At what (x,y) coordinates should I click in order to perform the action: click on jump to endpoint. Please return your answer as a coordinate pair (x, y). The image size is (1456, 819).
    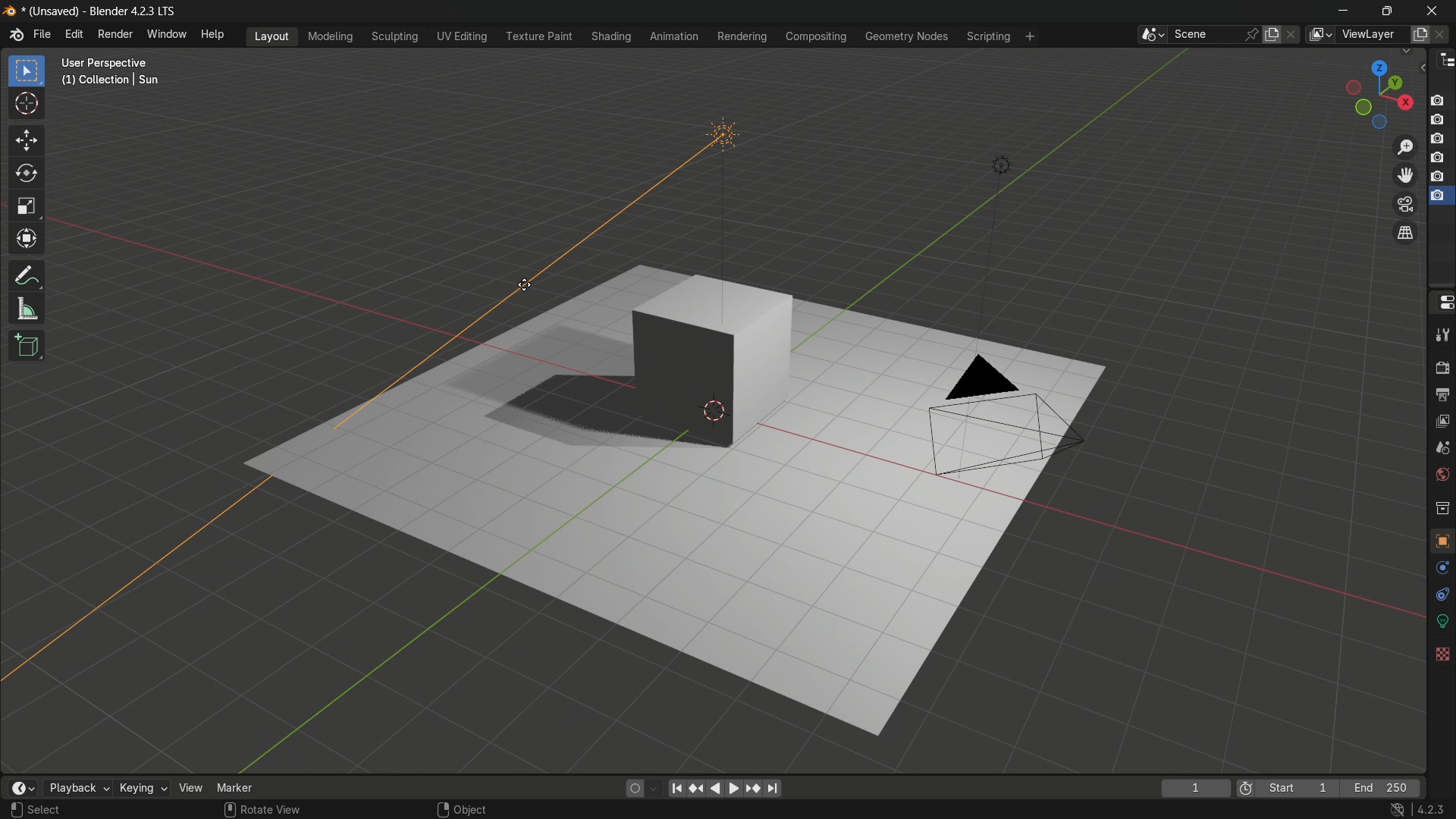
    Looking at the image, I should click on (677, 789).